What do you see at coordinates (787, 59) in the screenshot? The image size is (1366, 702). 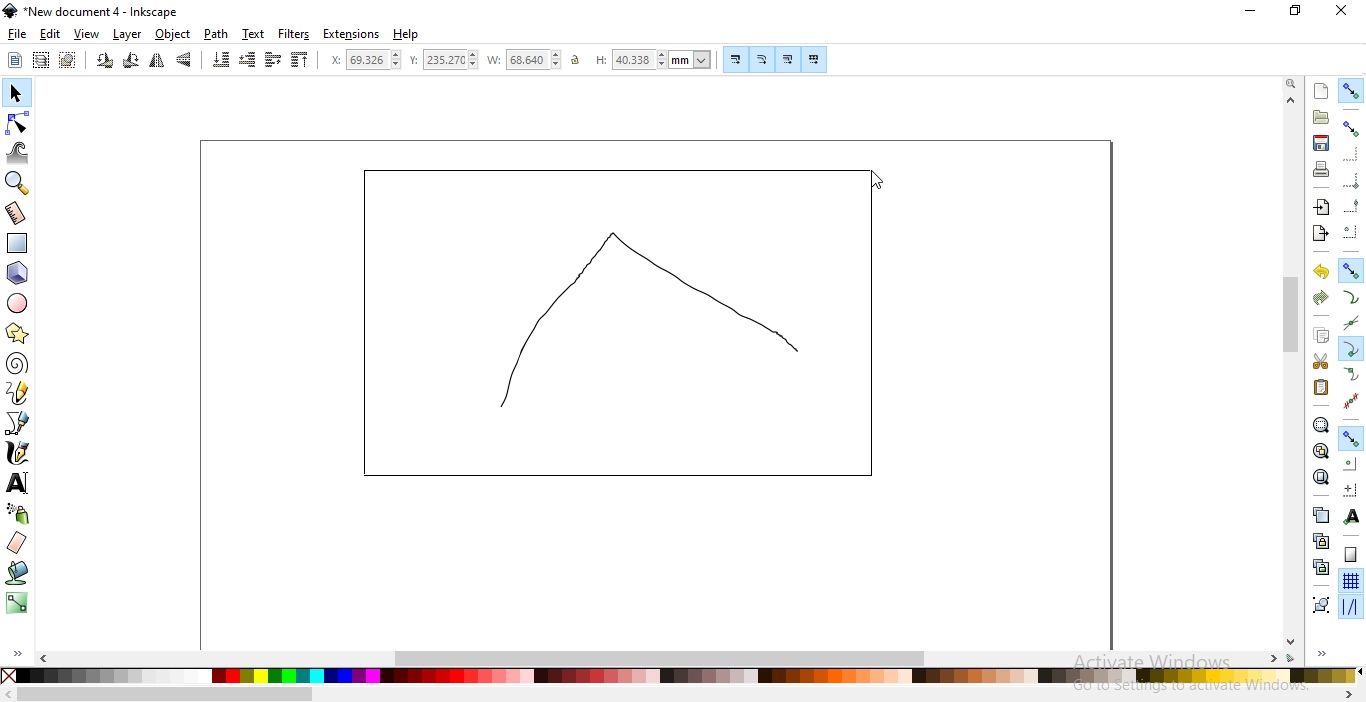 I see `` at bounding box center [787, 59].